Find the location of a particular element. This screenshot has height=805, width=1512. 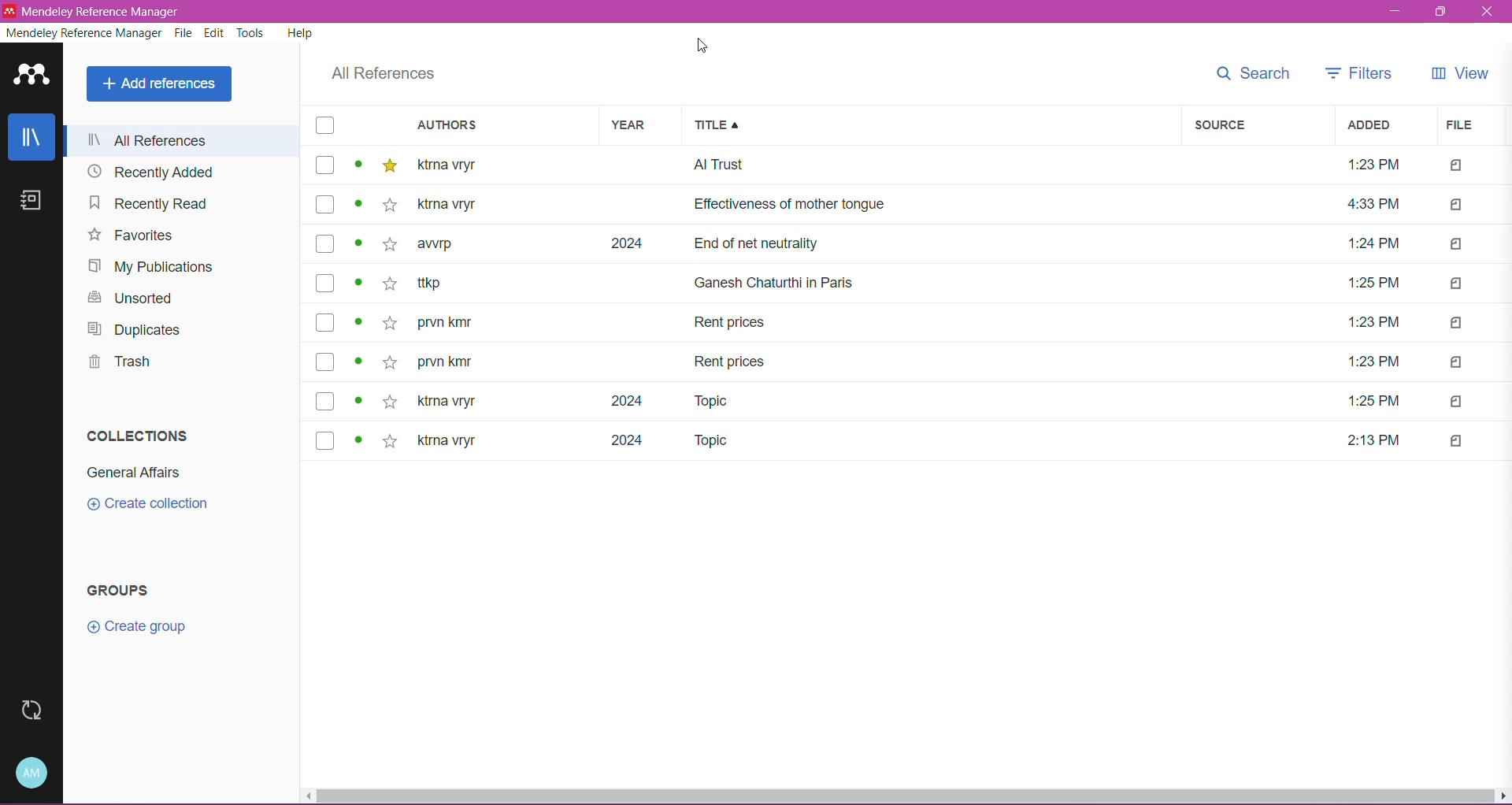

Edit is located at coordinates (216, 33).